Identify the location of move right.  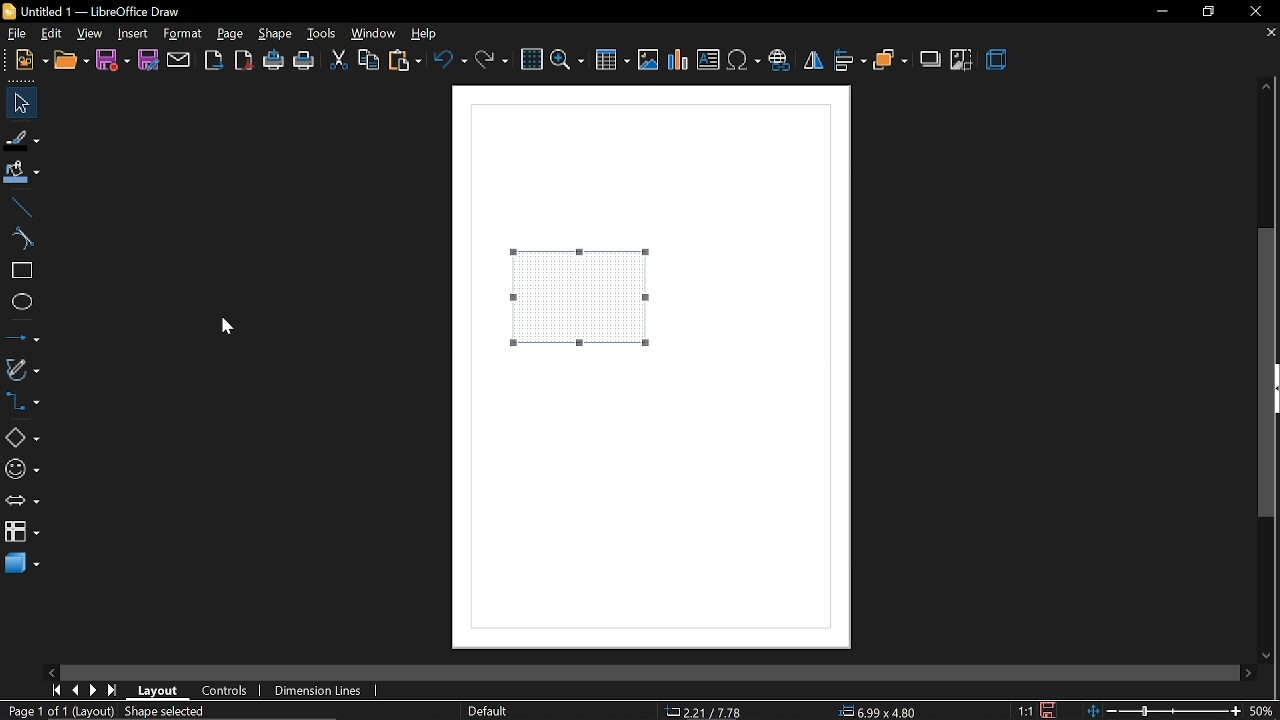
(1242, 672).